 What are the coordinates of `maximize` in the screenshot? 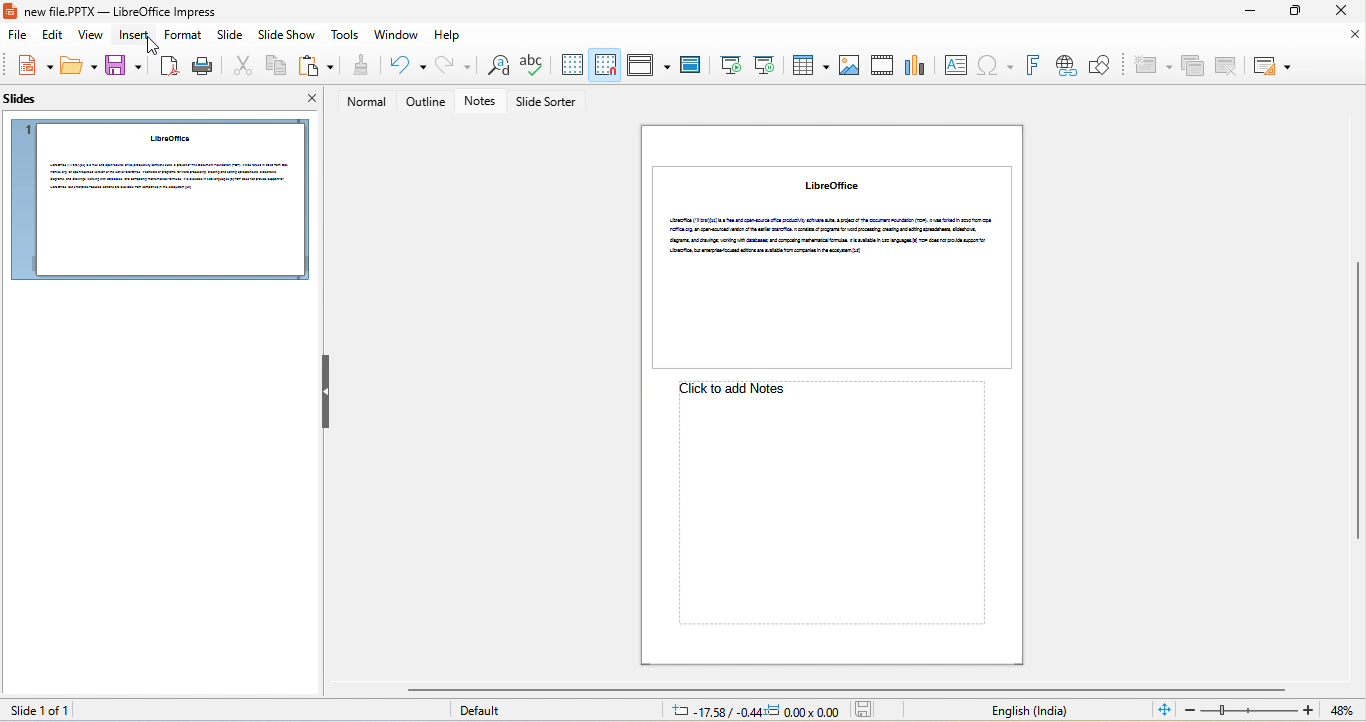 It's located at (1293, 12).